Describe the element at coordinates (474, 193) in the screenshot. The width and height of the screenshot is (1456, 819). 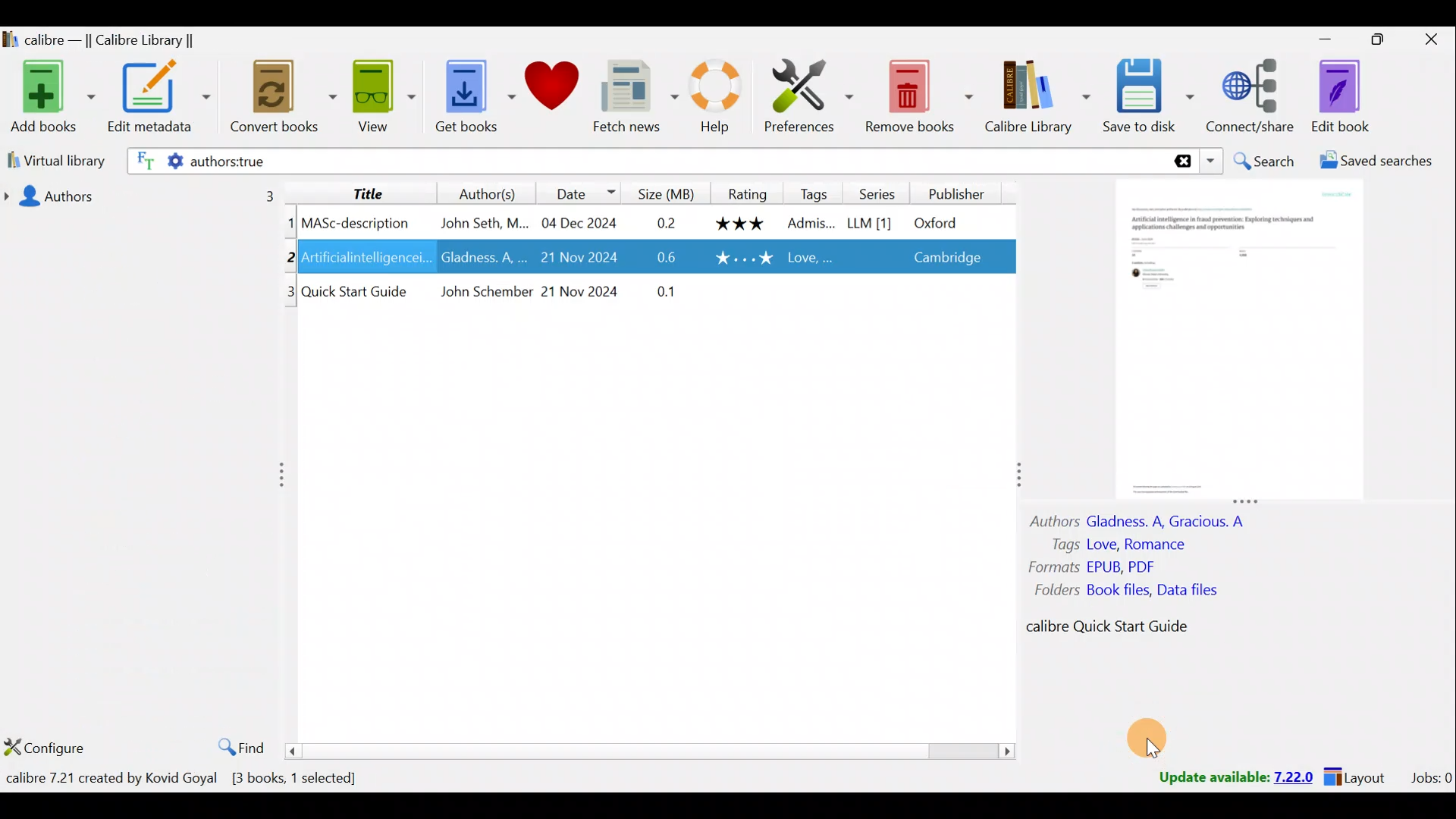
I see `Authors` at that location.